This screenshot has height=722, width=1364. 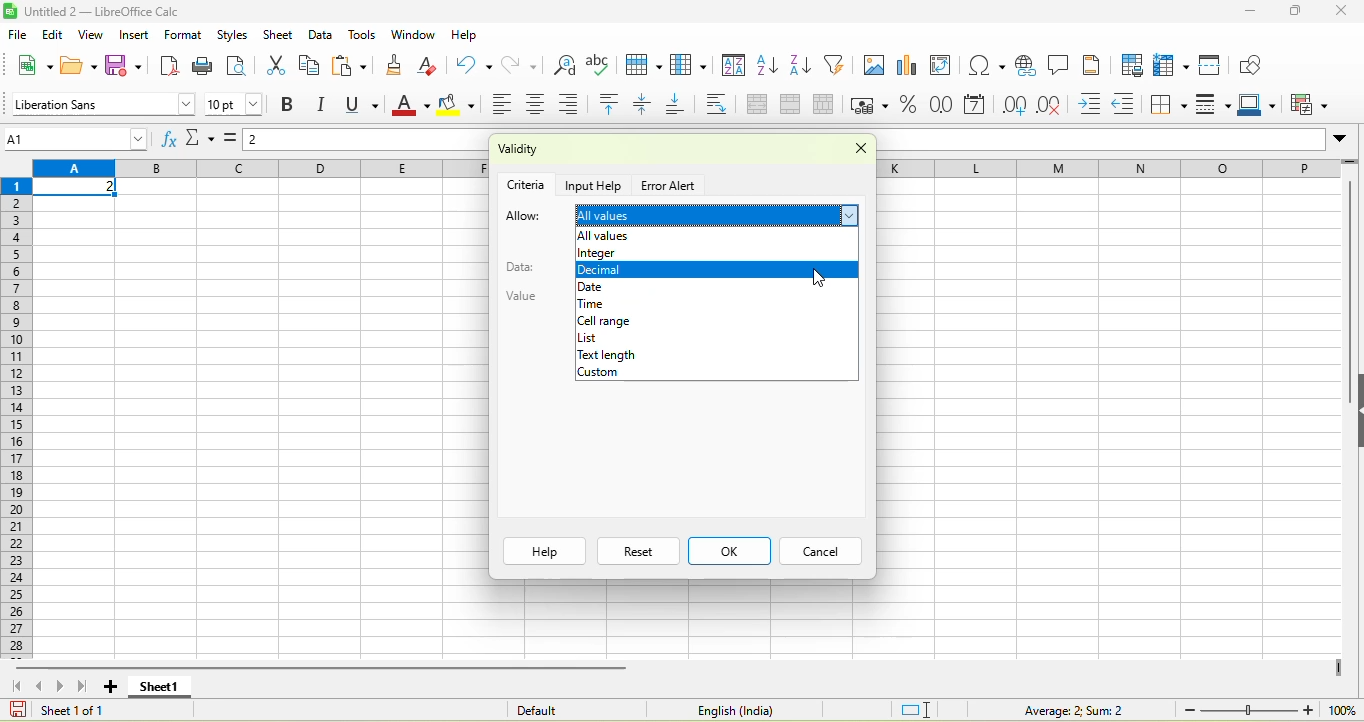 What do you see at coordinates (352, 66) in the screenshot?
I see `paste` at bounding box center [352, 66].